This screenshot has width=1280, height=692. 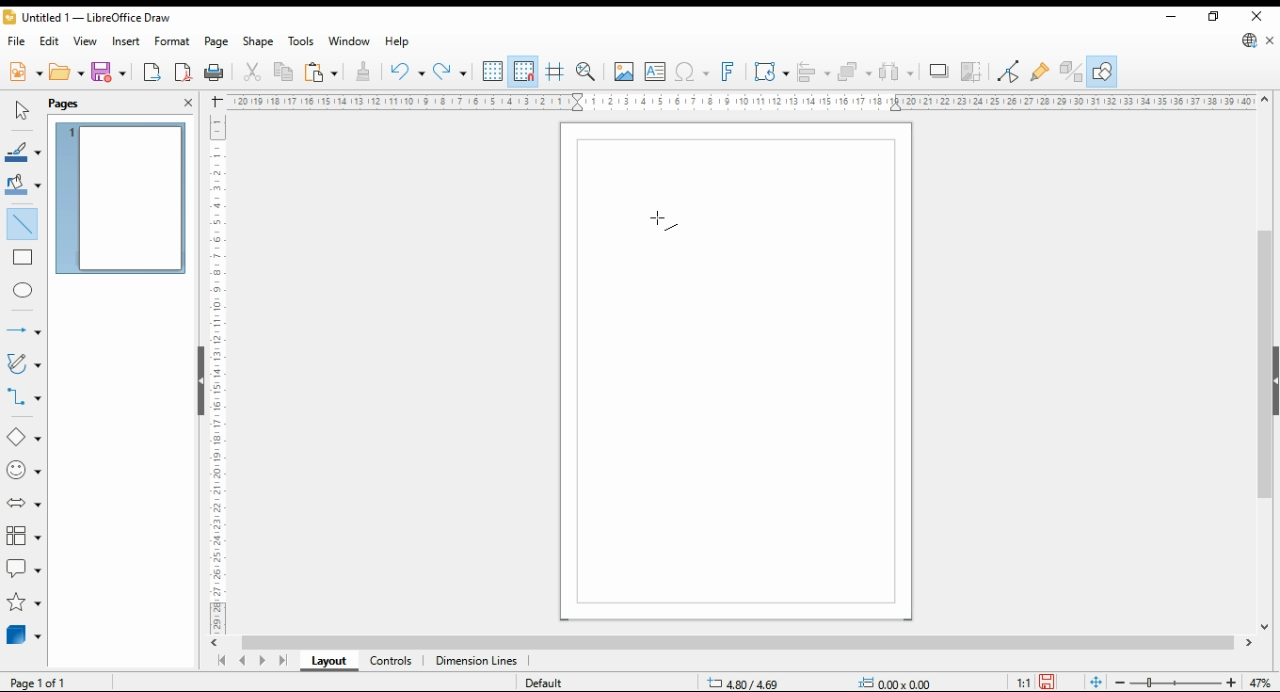 What do you see at coordinates (152, 74) in the screenshot?
I see `export` at bounding box center [152, 74].